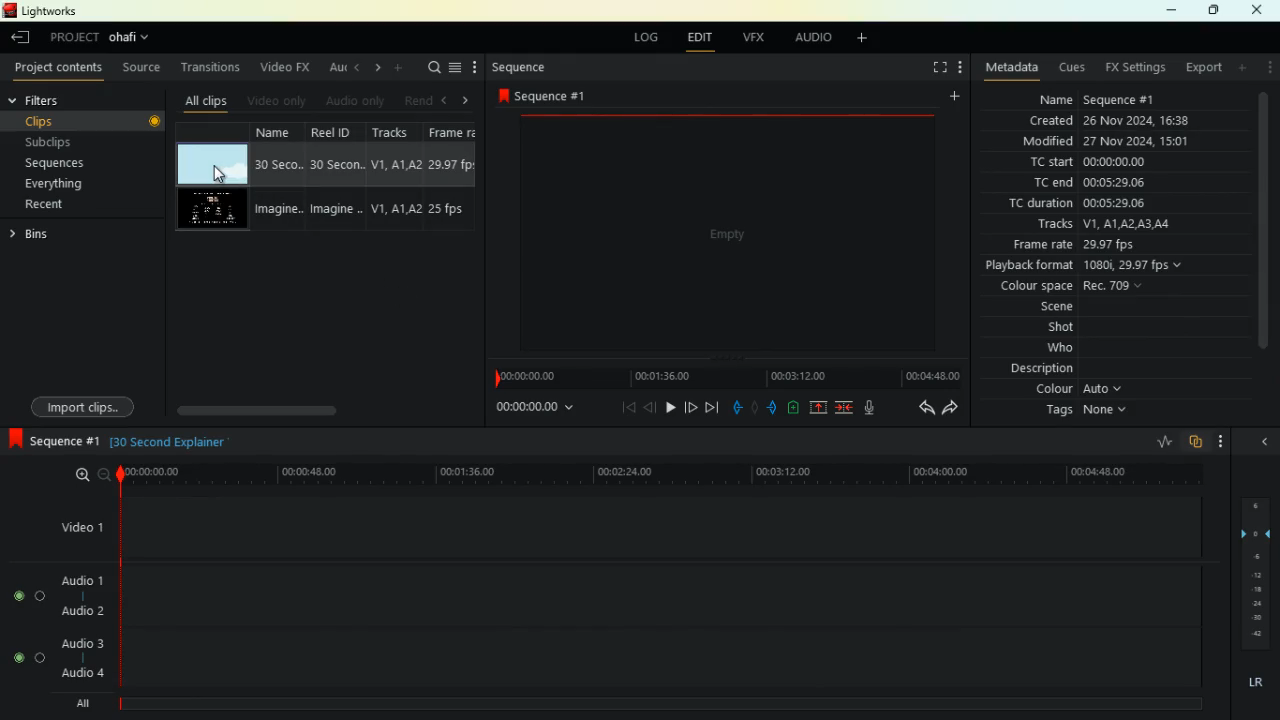 Image resolution: width=1280 pixels, height=720 pixels. Describe the element at coordinates (691, 406) in the screenshot. I see `forward` at that location.